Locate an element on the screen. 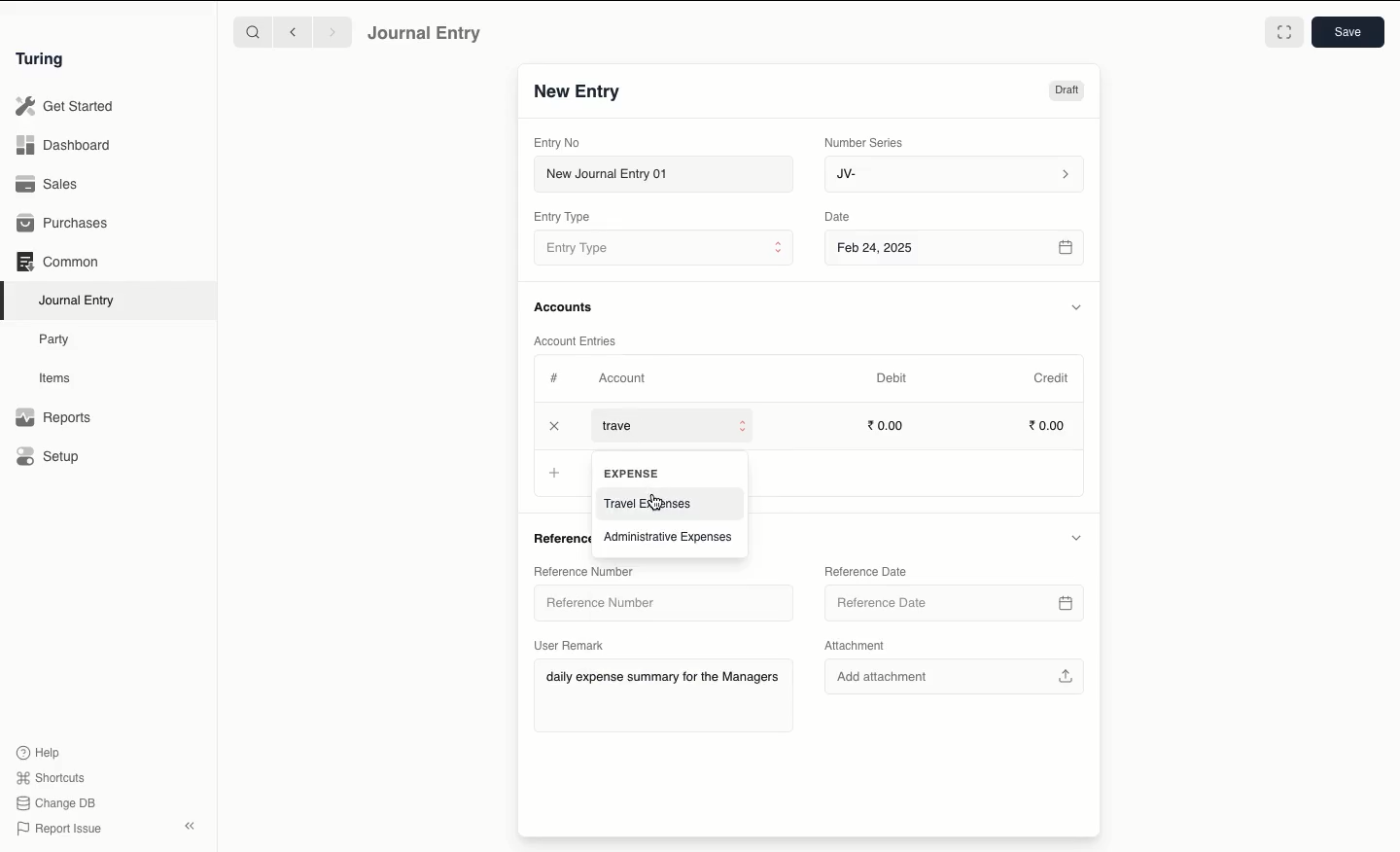 The image size is (1400, 852). Reference Number is located at coordinates (589, 571).